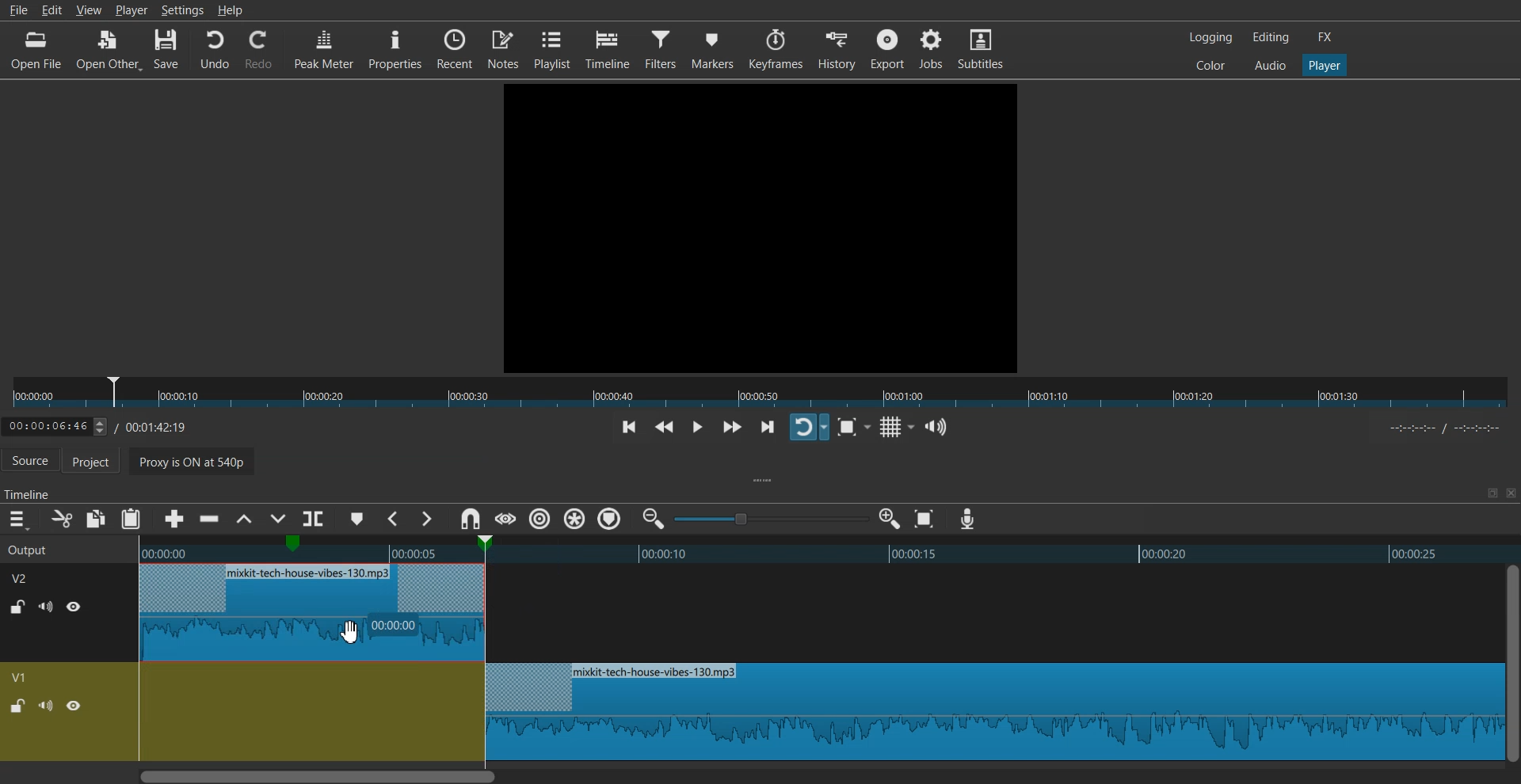 This screenshot has height=784, width=1521. What do you see at coordinates (966, 519) in the screenshot?
I see `Record audio` at bounding box center [966, 519].